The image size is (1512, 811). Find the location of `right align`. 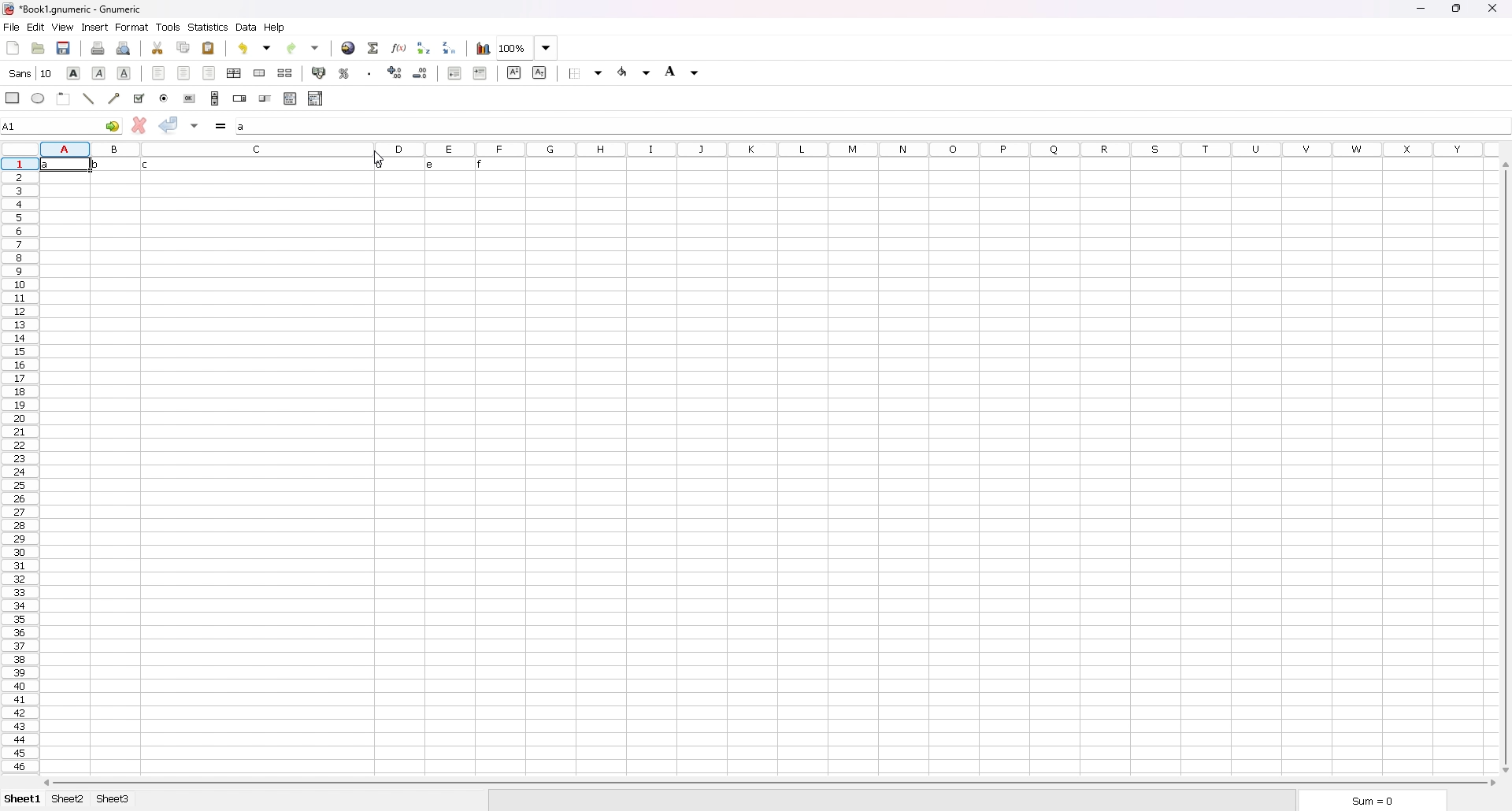

right align is located at coordinates (208, 72).